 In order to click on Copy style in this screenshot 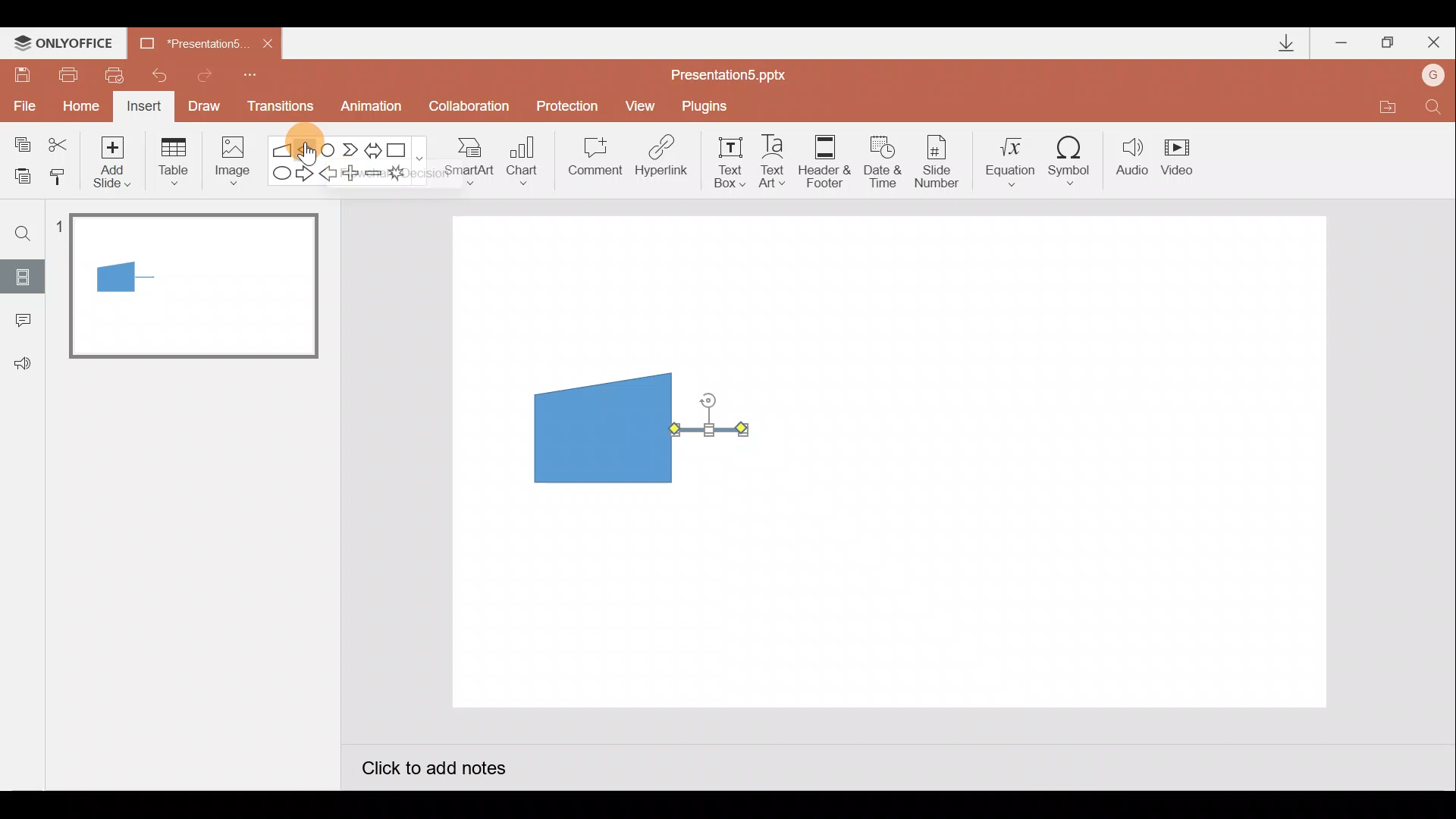, I will do `click(59, 174)`.